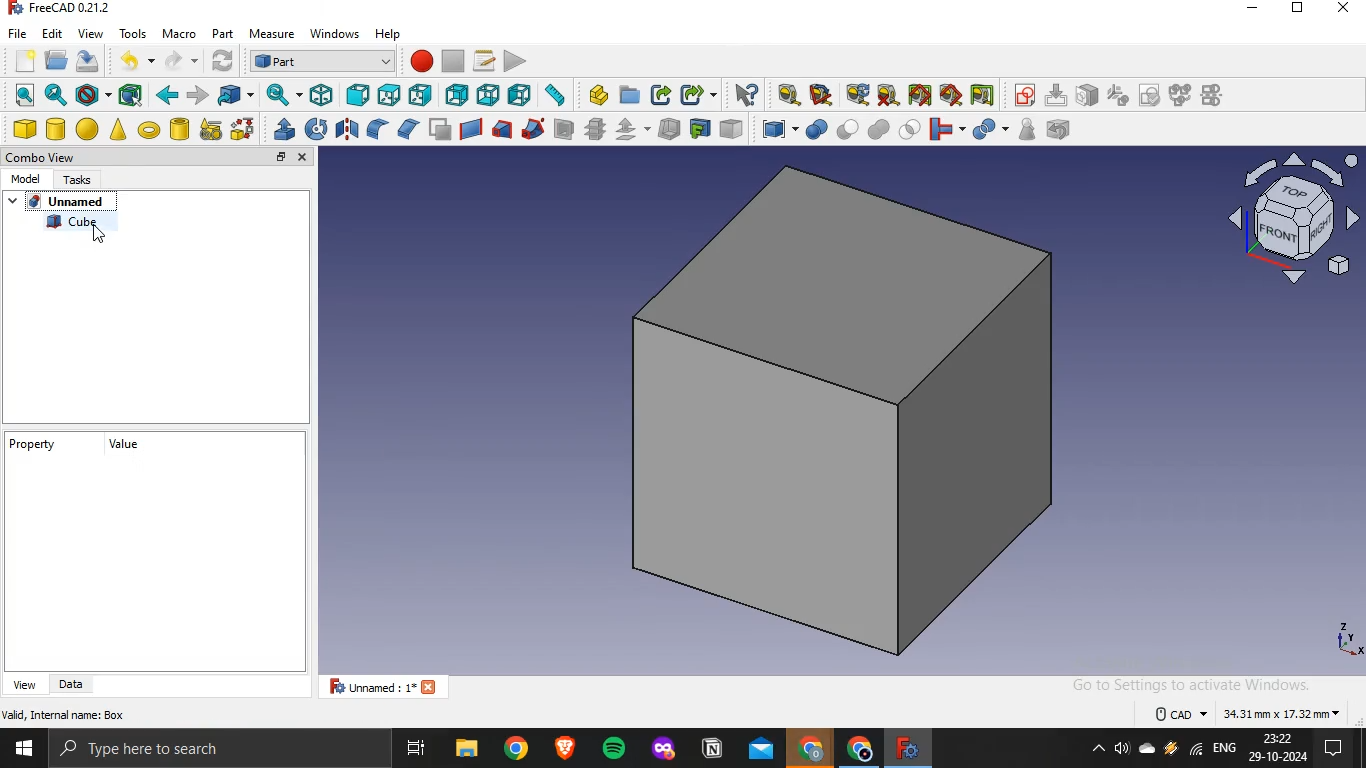 This screenshot has height=768, width=1366. What do you see at coordinates (520, 94) in the screenshot?
I see `left` at bounding box center [520, 94].